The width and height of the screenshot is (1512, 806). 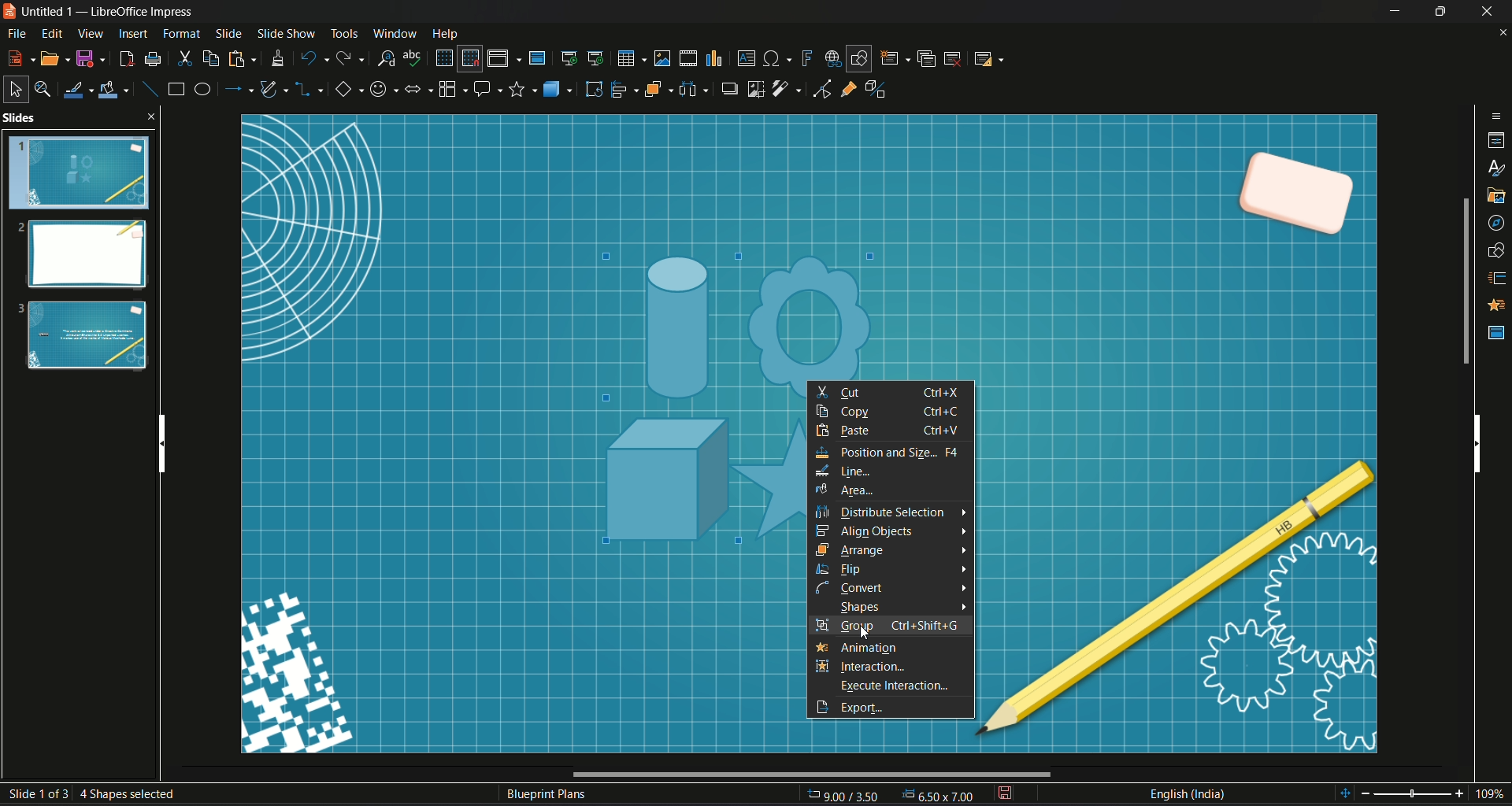 I want to click on insert, so click(x=132, y=34).